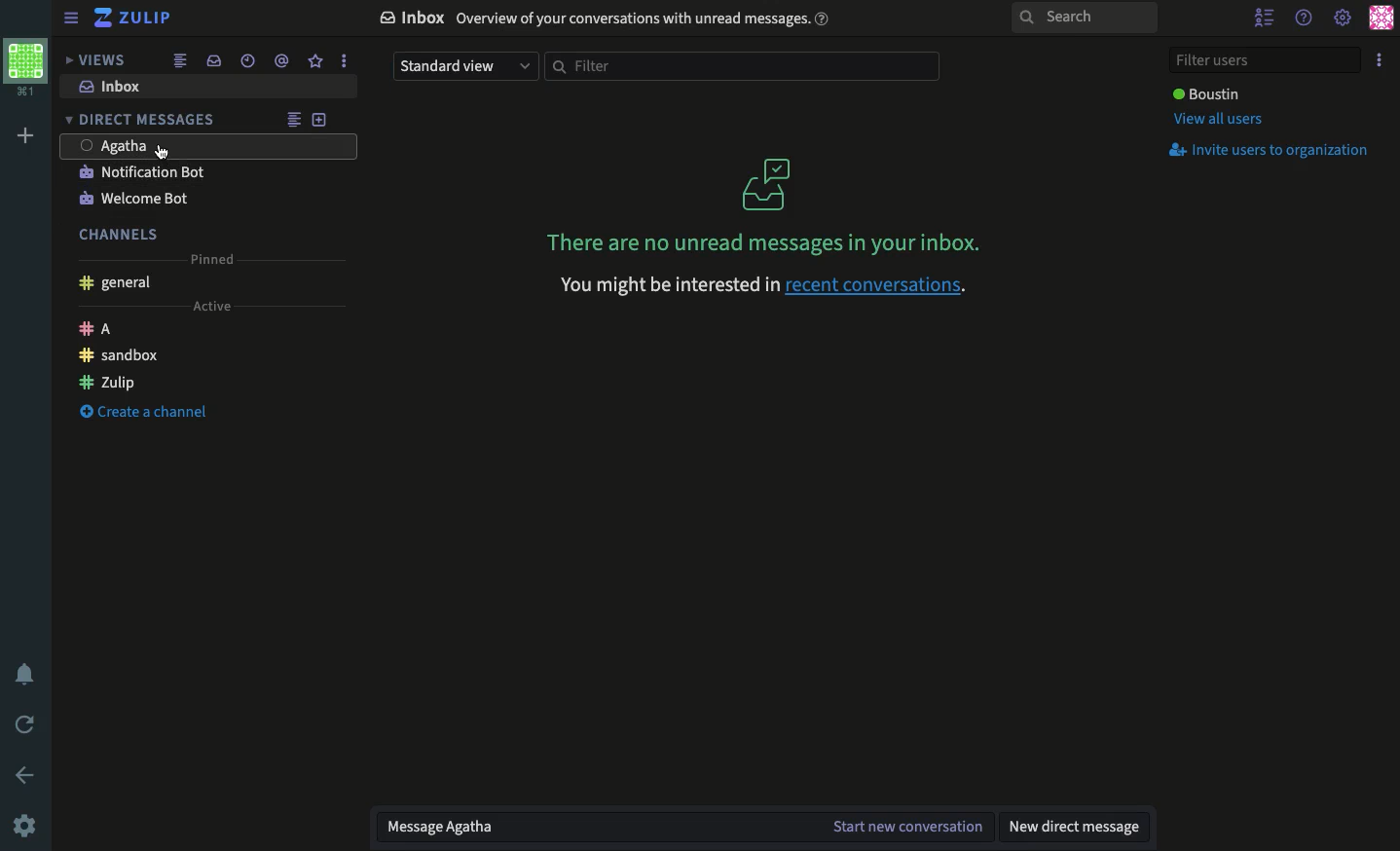 This screenshot has width=1400, height=851. Describe the element at coordinates (764, 245) in the screenshot. I see `text` at that location.